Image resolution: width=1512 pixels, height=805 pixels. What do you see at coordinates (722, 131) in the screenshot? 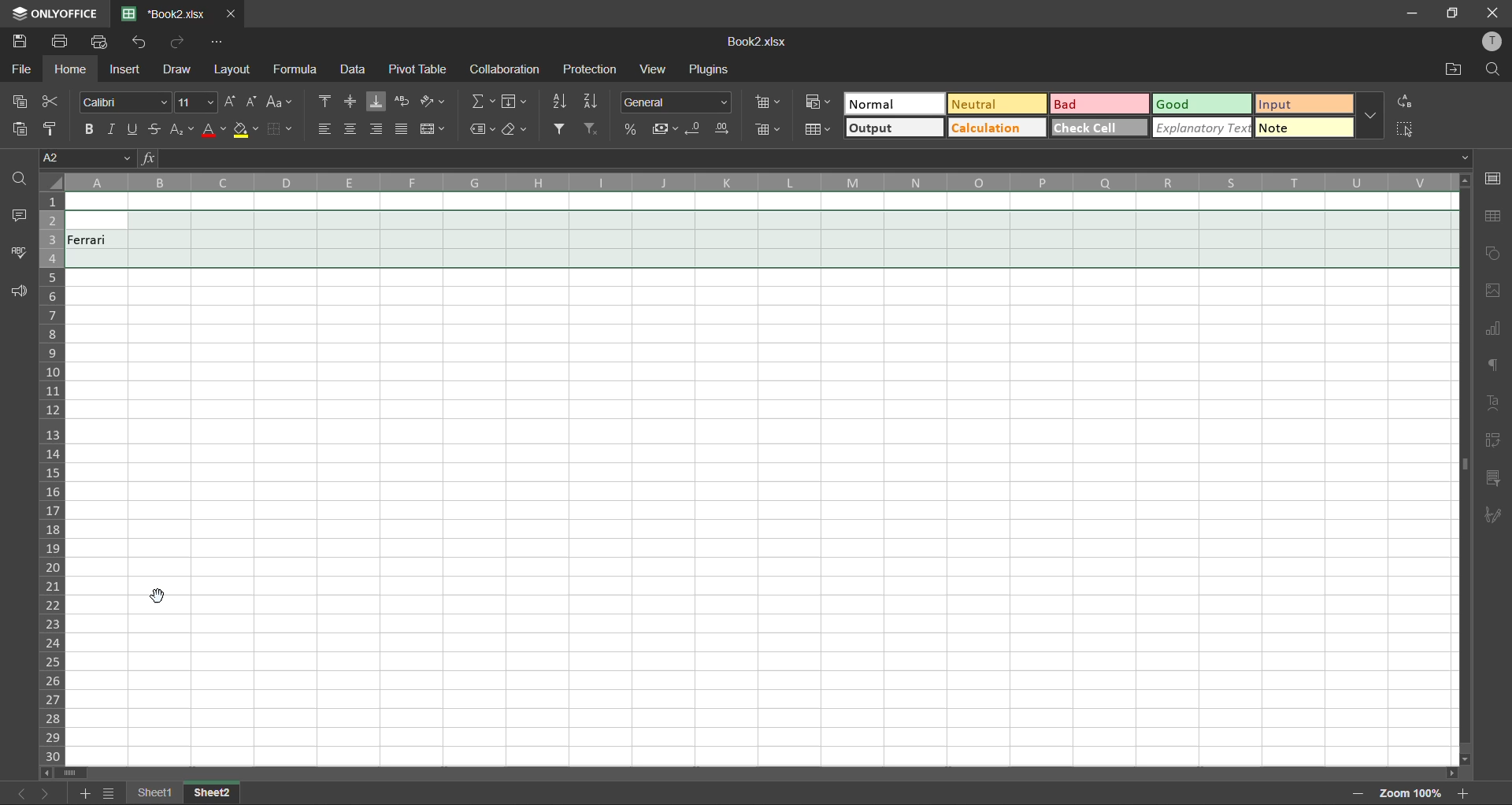
I see `increase decimal` at bounding box center [722, 131].